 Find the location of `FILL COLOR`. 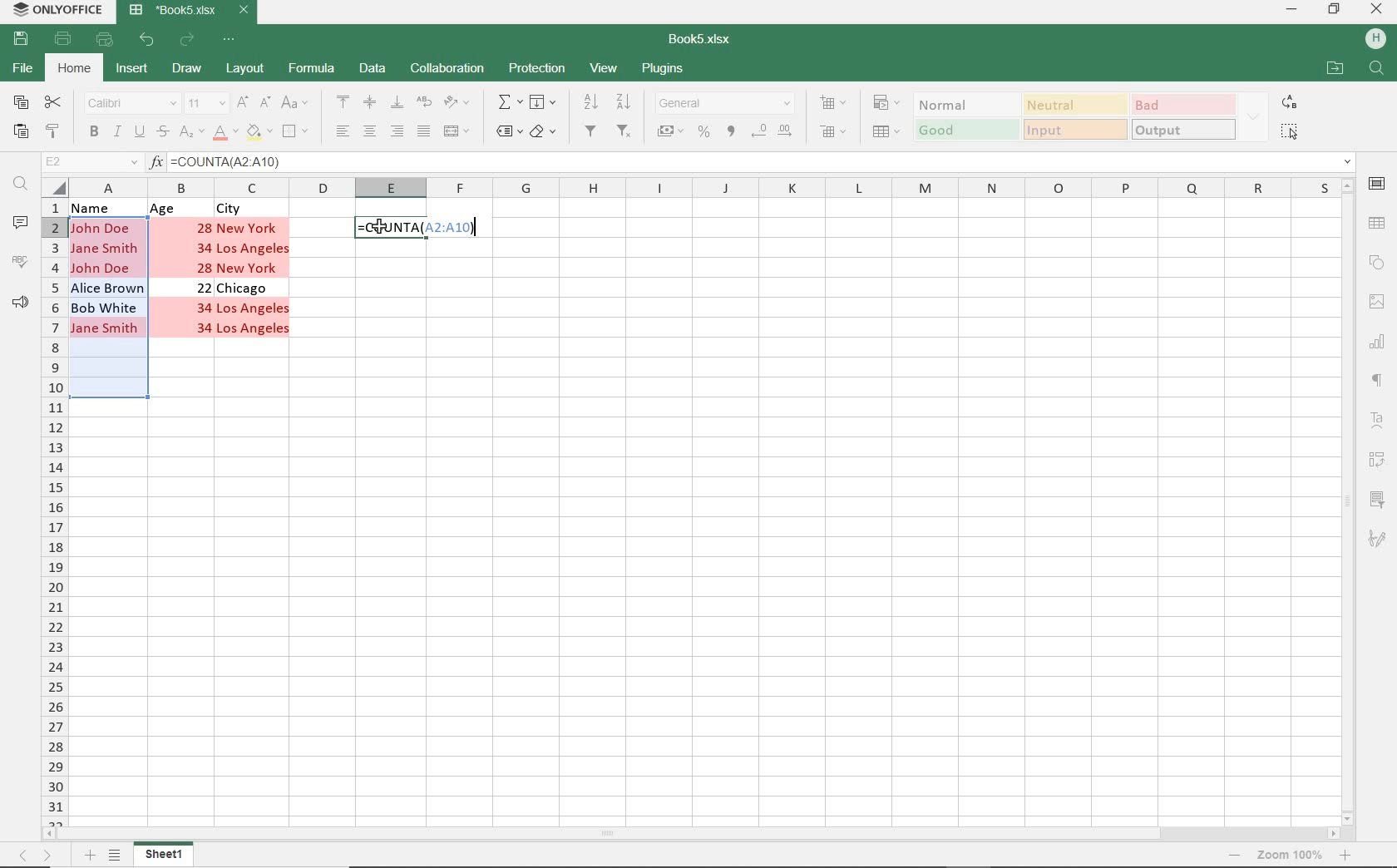

FILL COLOR is located at coordinates (259, 134).